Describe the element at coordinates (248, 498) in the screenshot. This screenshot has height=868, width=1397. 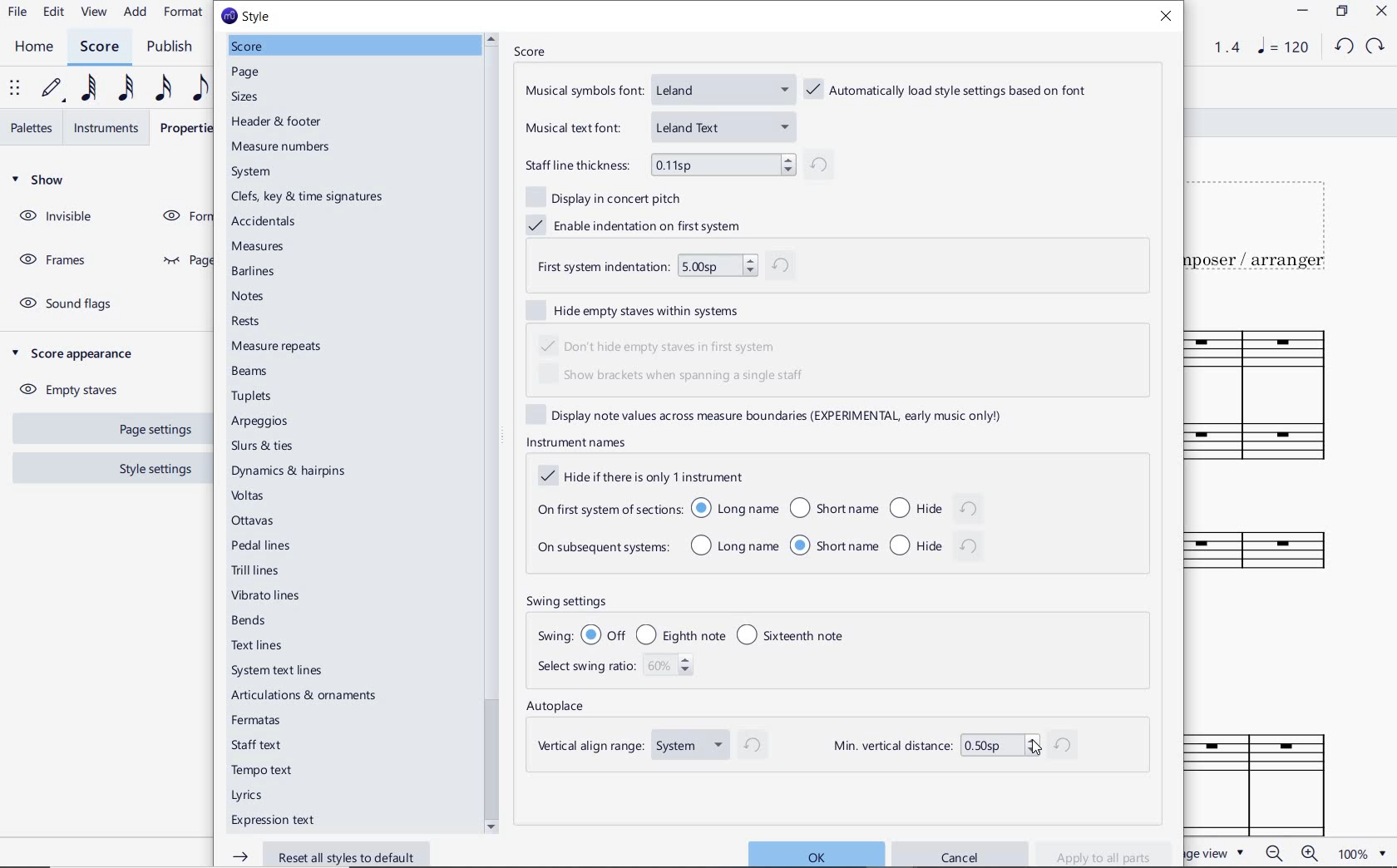
I see `voltas` at that location.